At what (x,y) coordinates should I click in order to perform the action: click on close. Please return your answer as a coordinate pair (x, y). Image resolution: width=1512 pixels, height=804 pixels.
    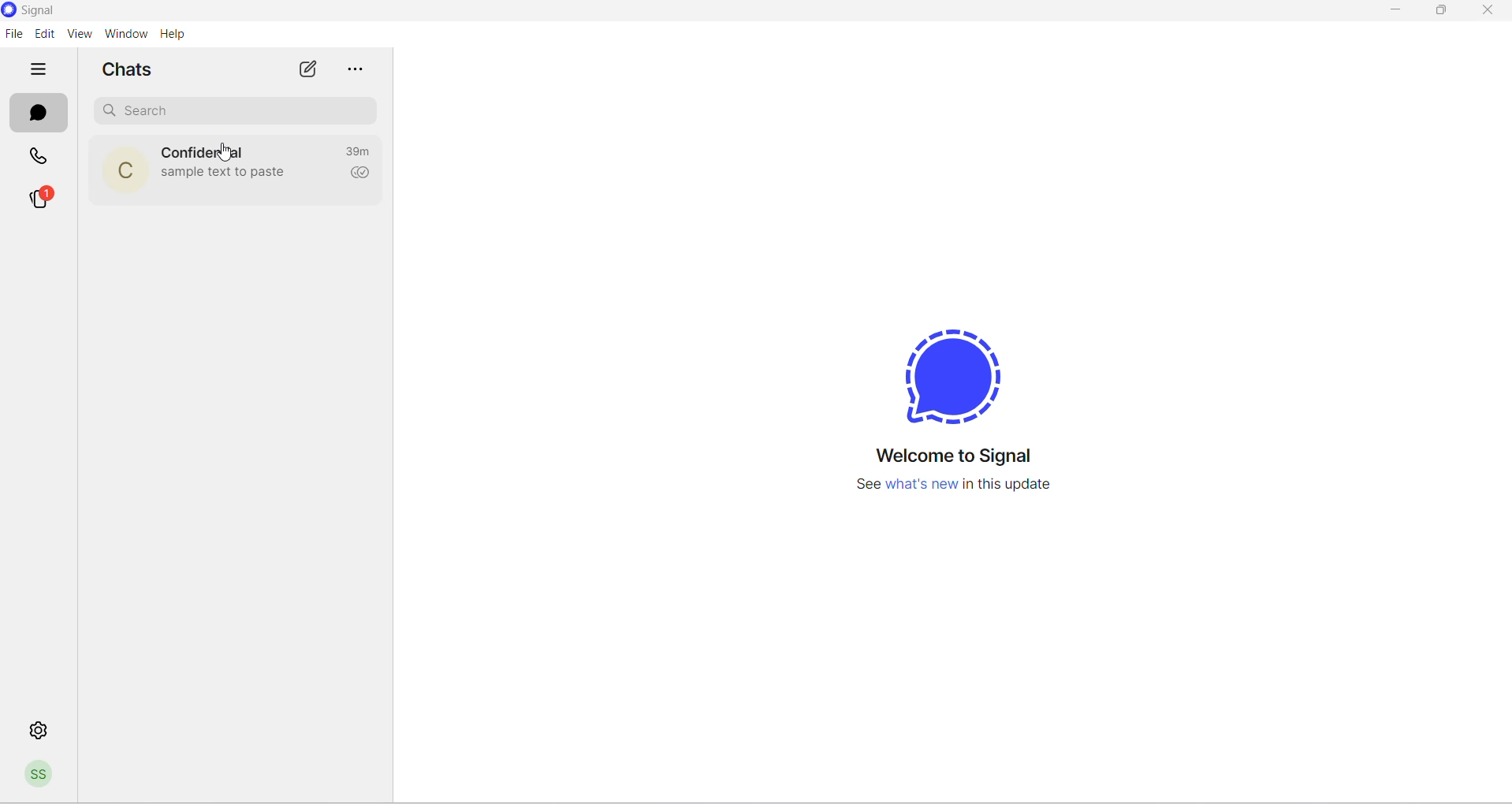
    Looking at the image, I should click on (1486, 13).